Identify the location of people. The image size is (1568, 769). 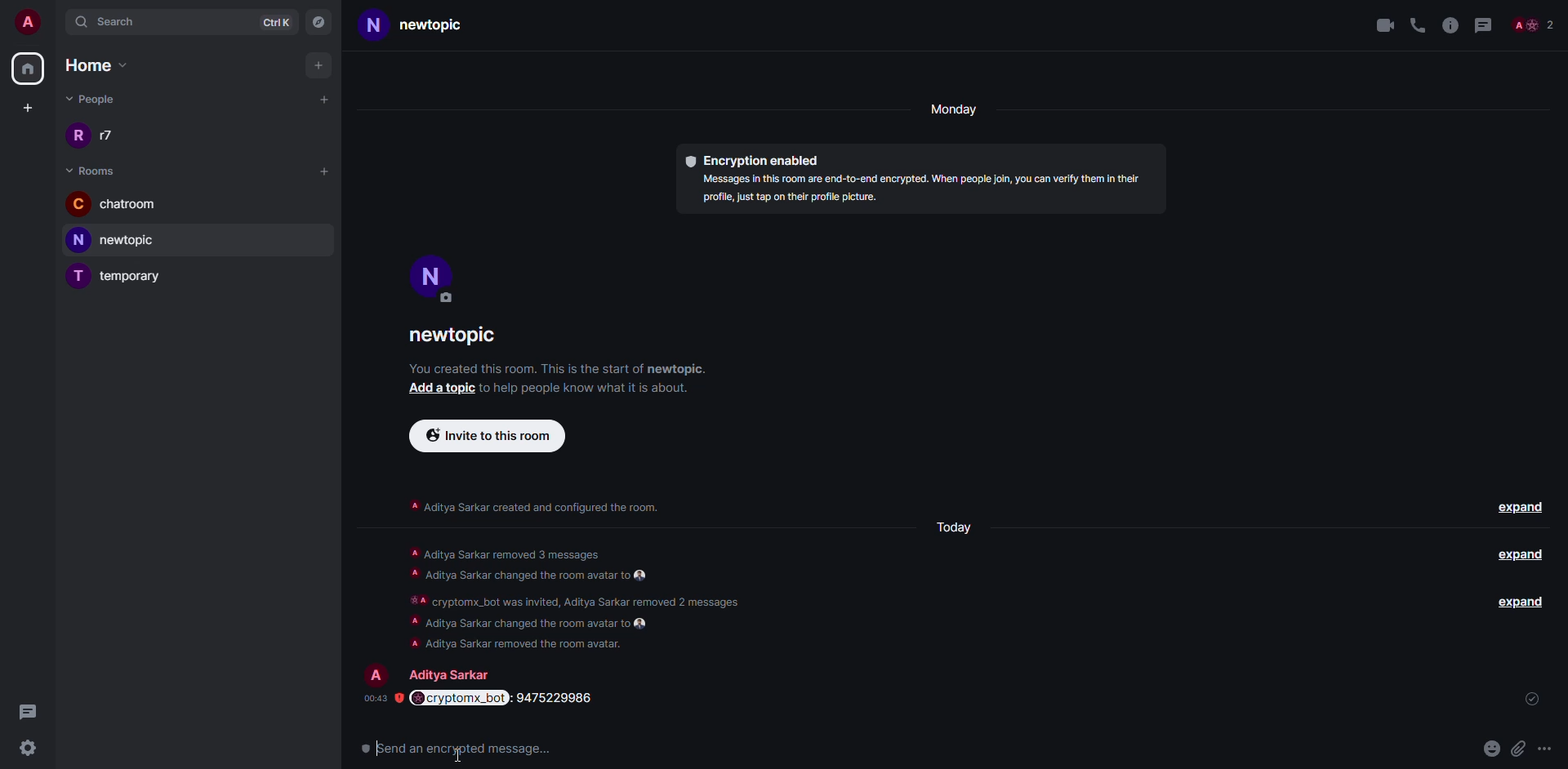
(449, 673).